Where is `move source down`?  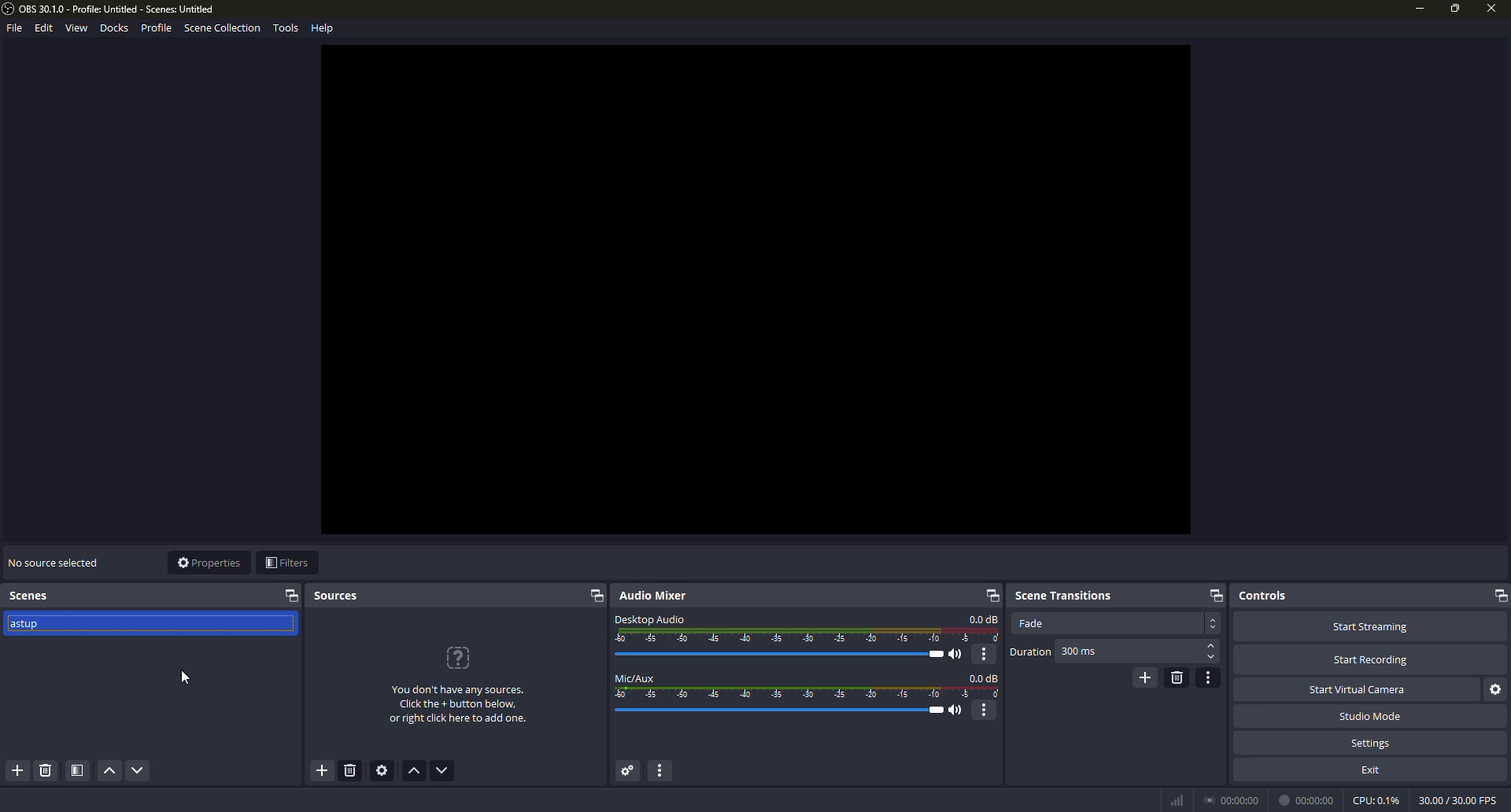 move source down is located at coordinates (442, 771).